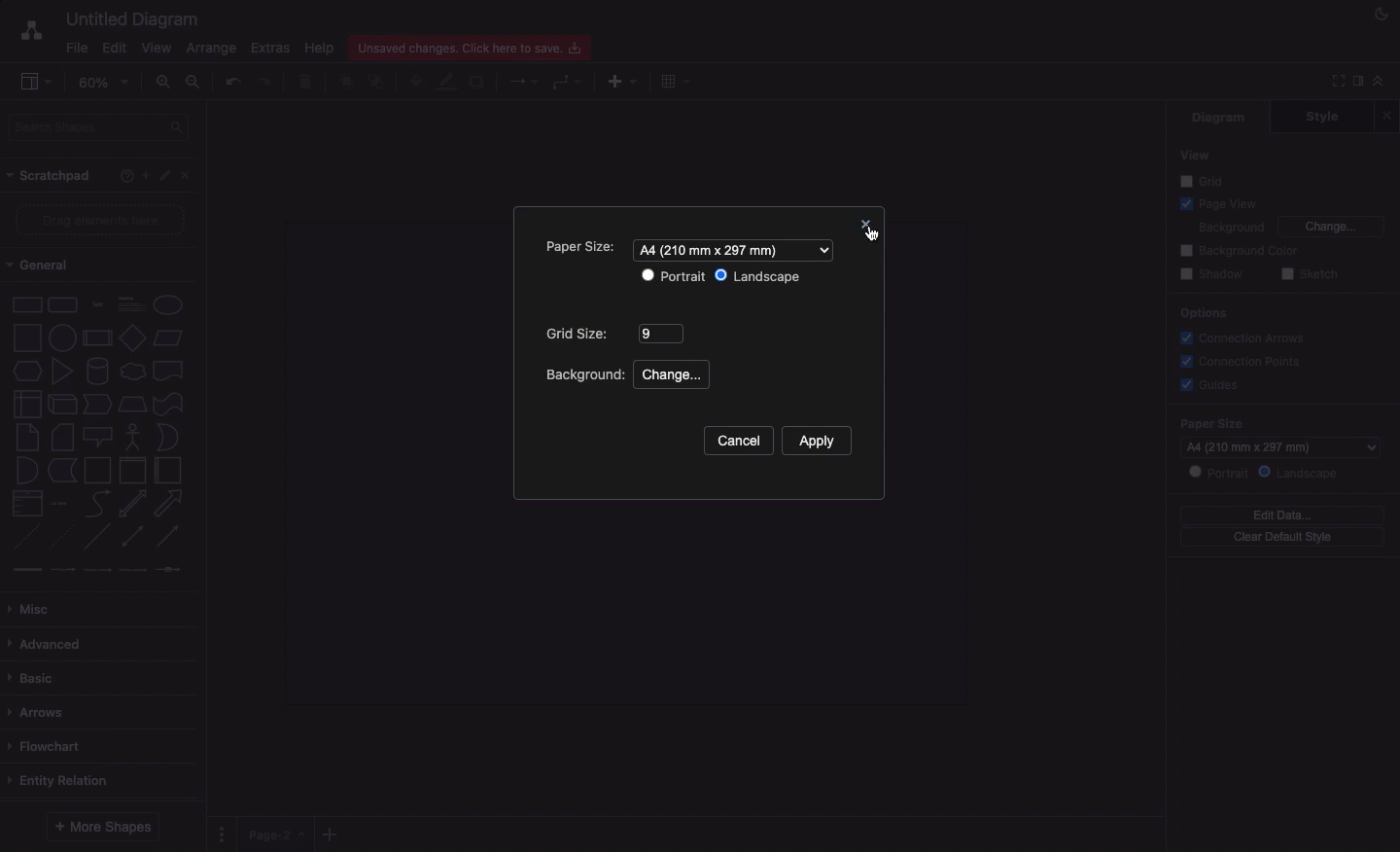  I want to click on Shadow, so click(1211, 275).